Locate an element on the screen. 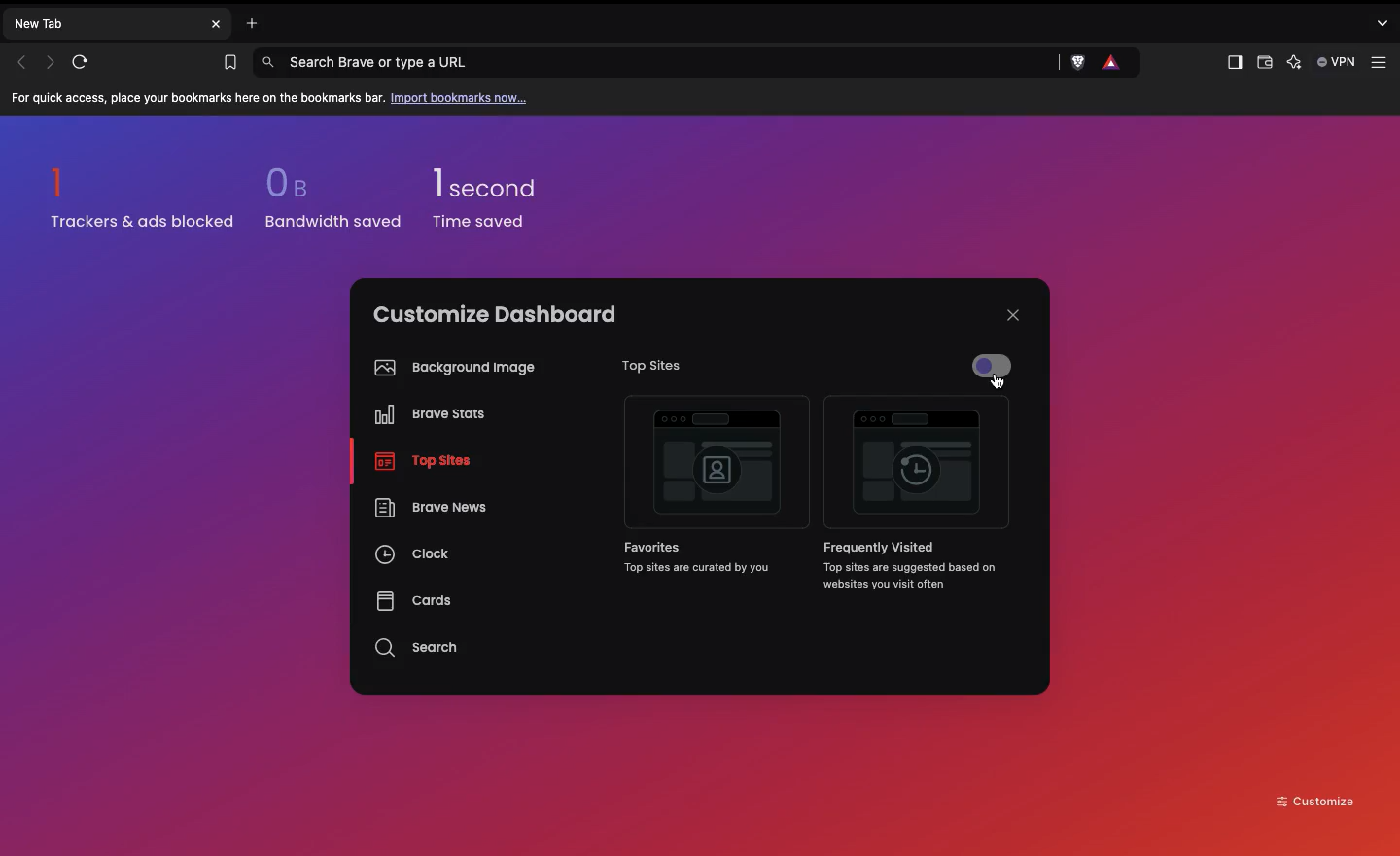 The height and width of the screenshot is (856, 1400). Frequently Visited Top sites are suggested based on websites you visit often is located at coordinates (912, 566).